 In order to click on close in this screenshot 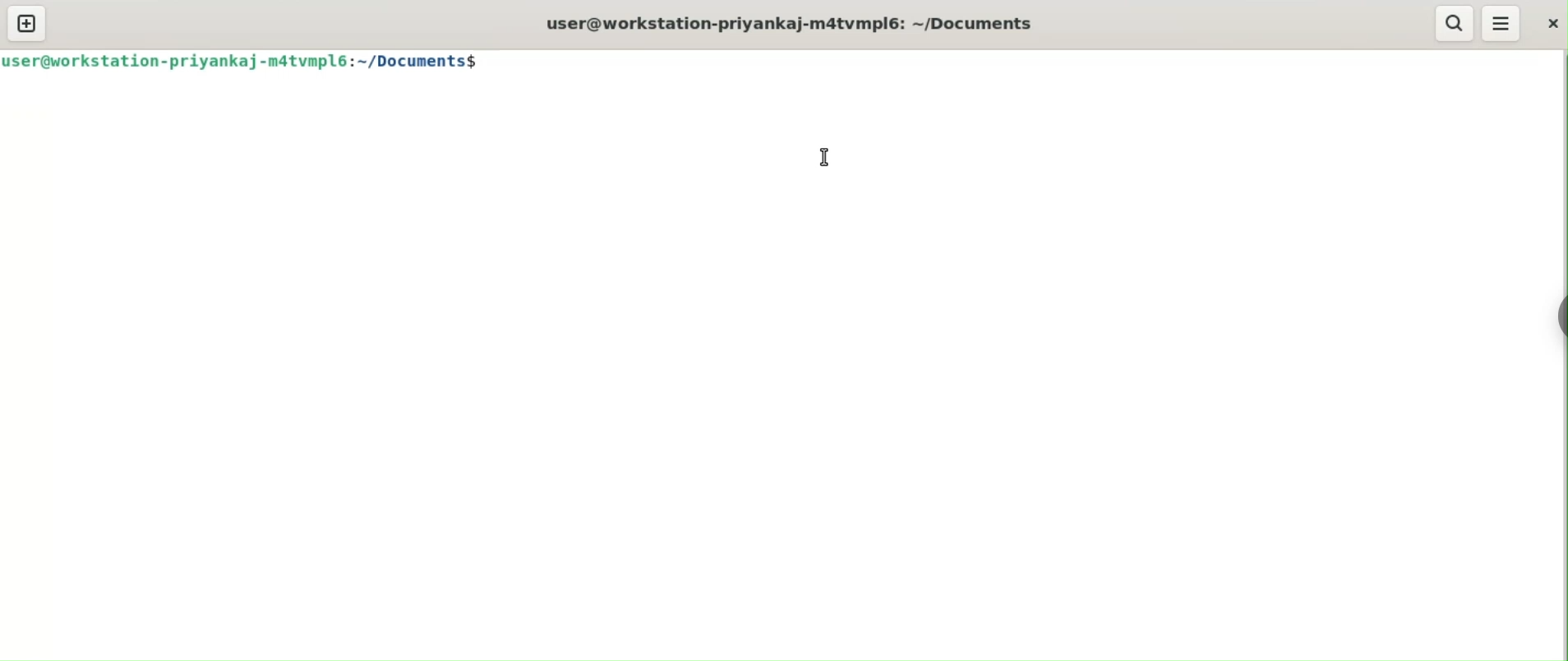, I will do `click(1553, 23)`.